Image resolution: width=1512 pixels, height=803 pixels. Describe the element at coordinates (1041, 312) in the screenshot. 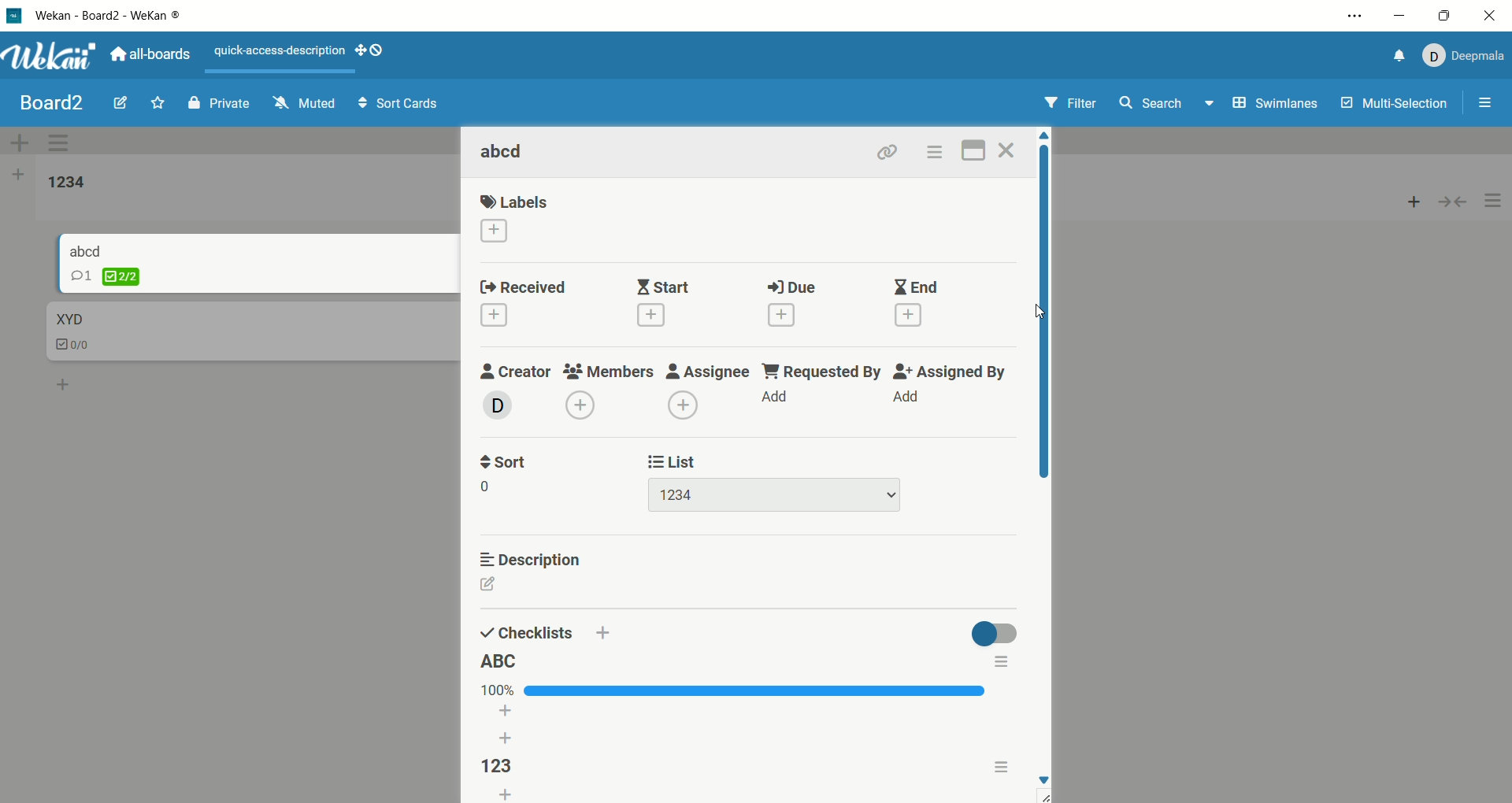

I see `cursor` at that location.